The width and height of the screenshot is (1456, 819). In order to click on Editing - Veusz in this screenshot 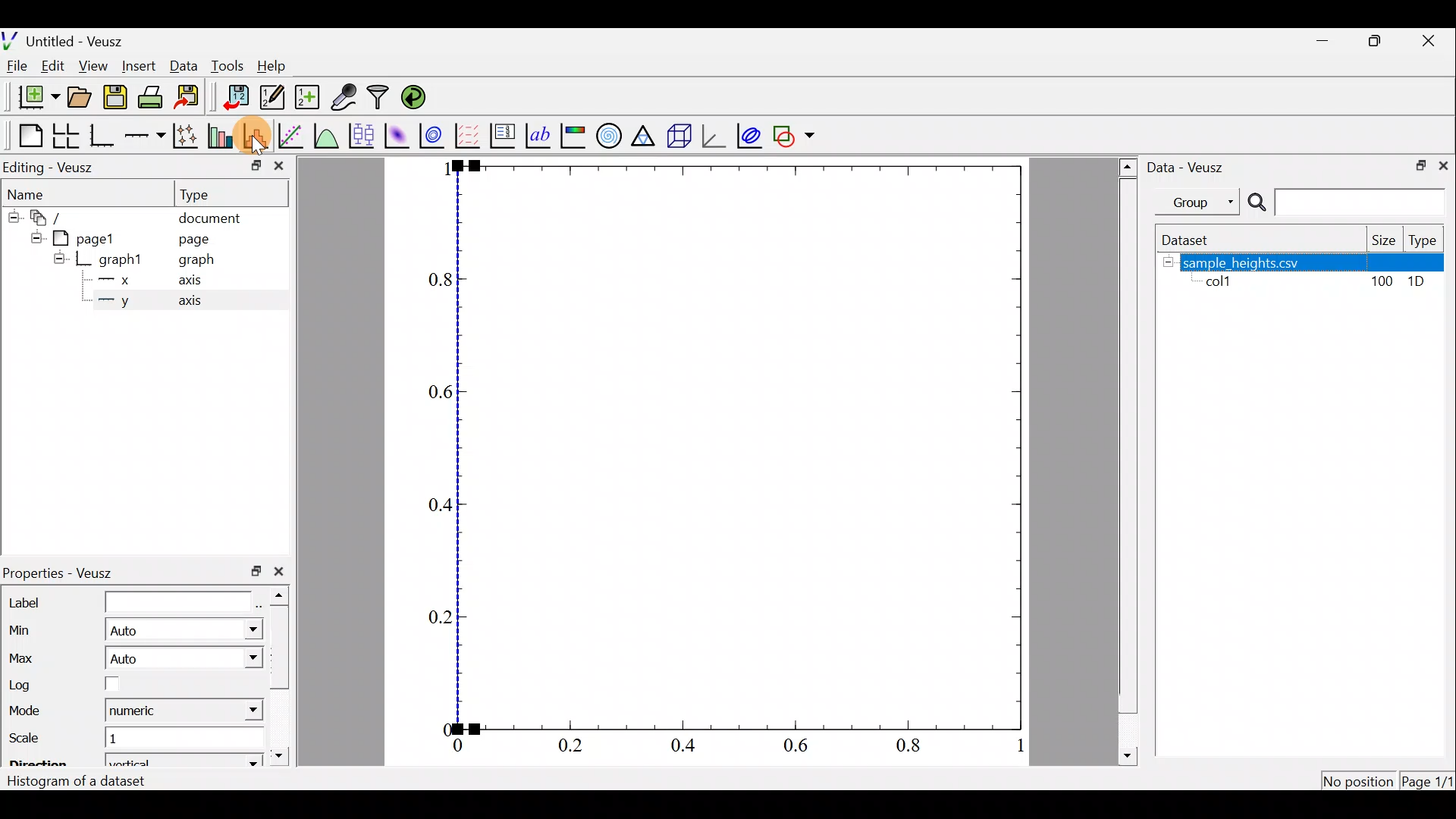, I will do `click(63, 165)`.